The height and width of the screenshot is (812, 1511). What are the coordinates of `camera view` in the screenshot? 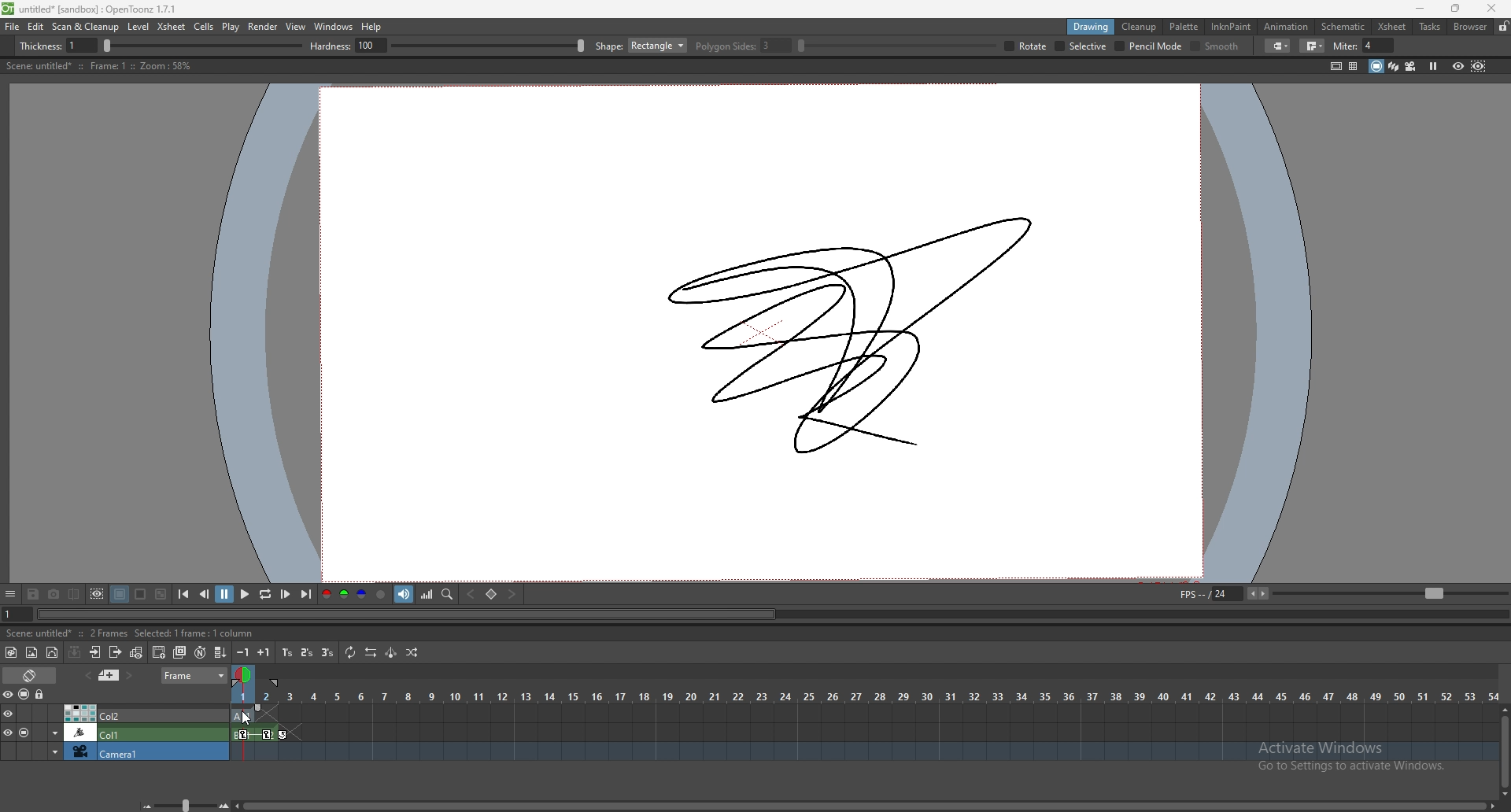 It's located at (1411, 66).